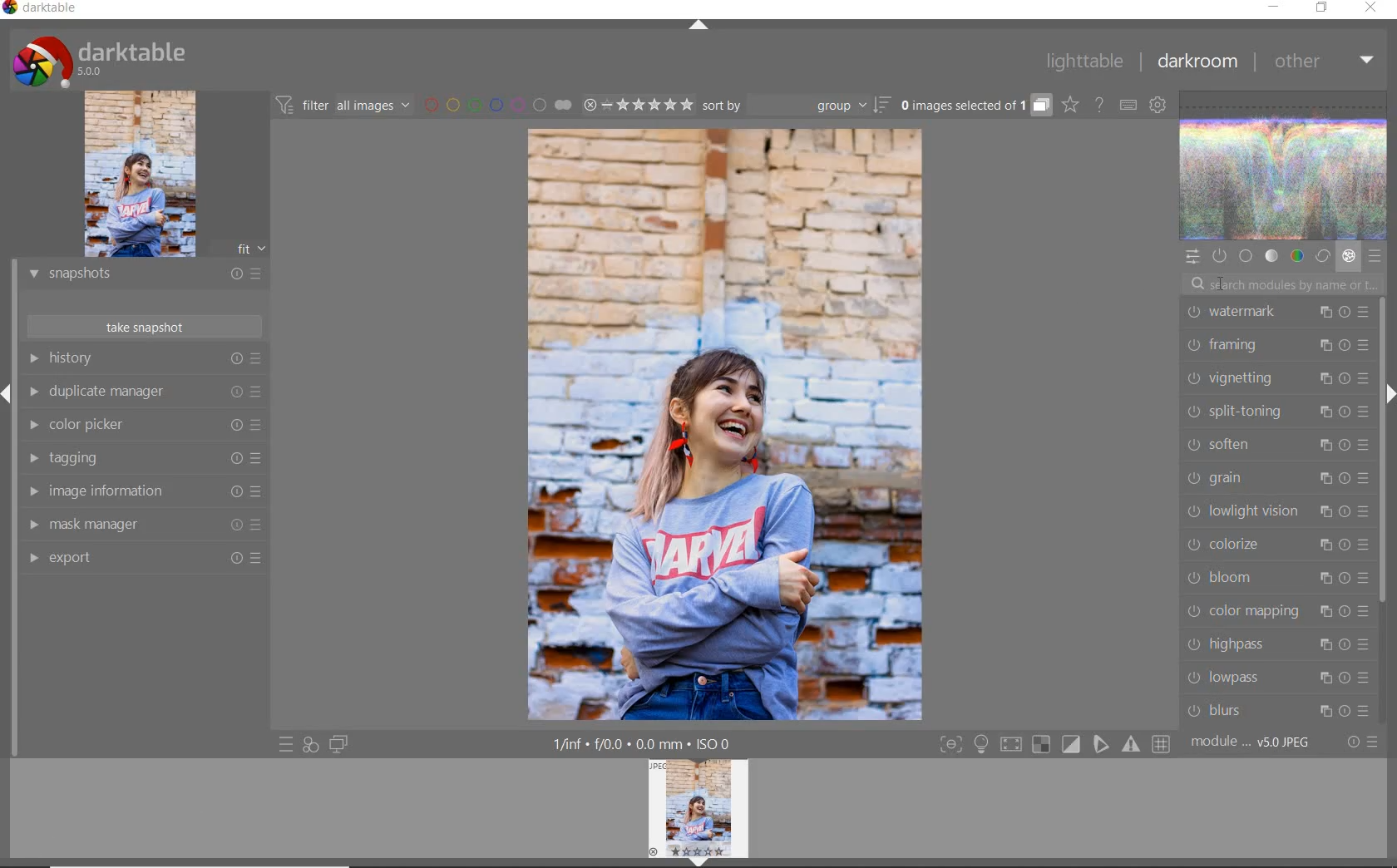 The width and height of the screenshot is (1397, 868). I want to click on base, so click(1246, 256).